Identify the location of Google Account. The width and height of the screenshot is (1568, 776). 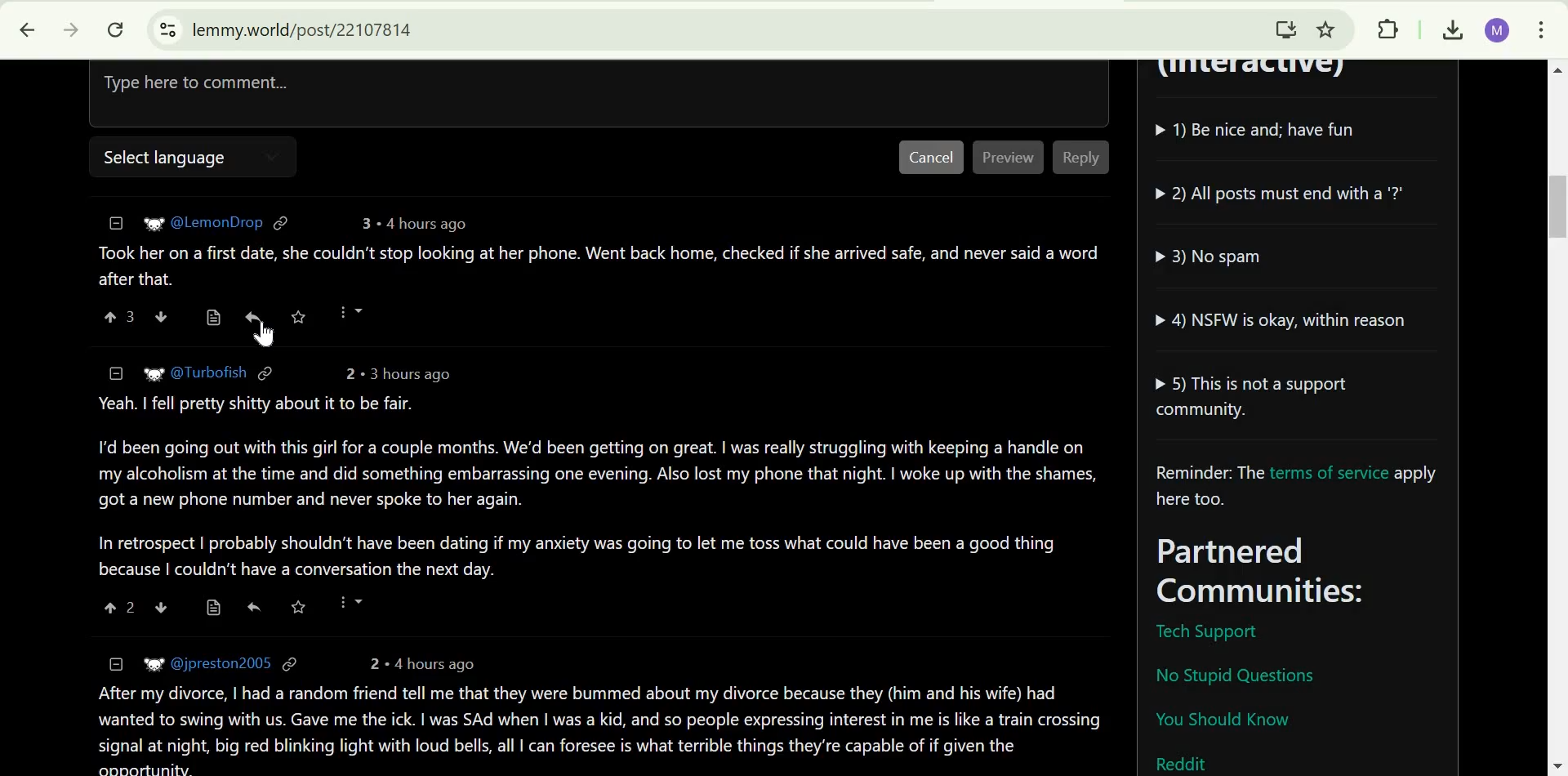
(1497, 31).